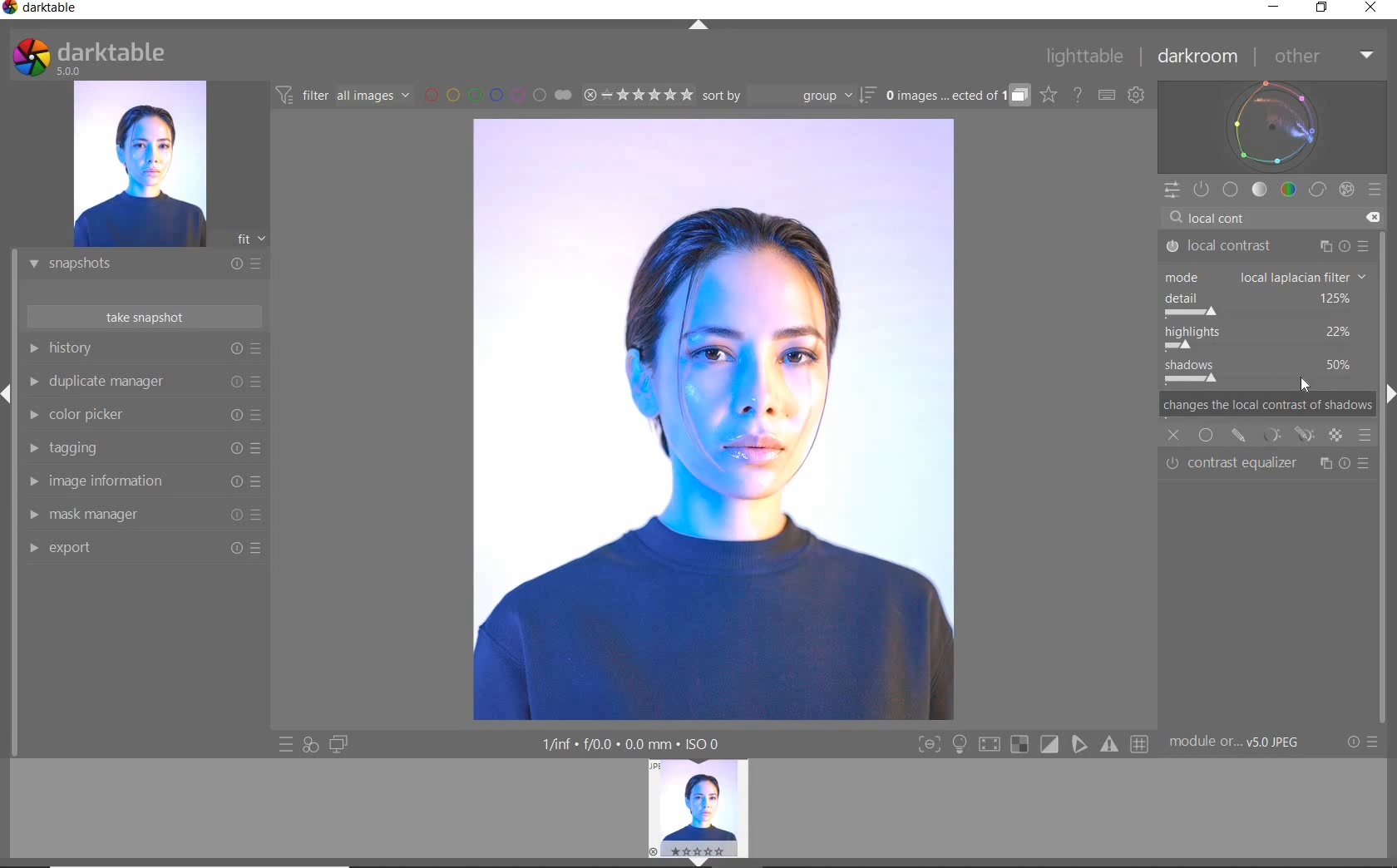 This screenshot has width=1397, height=868. Describe the element at coordinates (1107, 95) in the screenshot. I see `SET KEYBOARD SHORTCUTS` at that location.